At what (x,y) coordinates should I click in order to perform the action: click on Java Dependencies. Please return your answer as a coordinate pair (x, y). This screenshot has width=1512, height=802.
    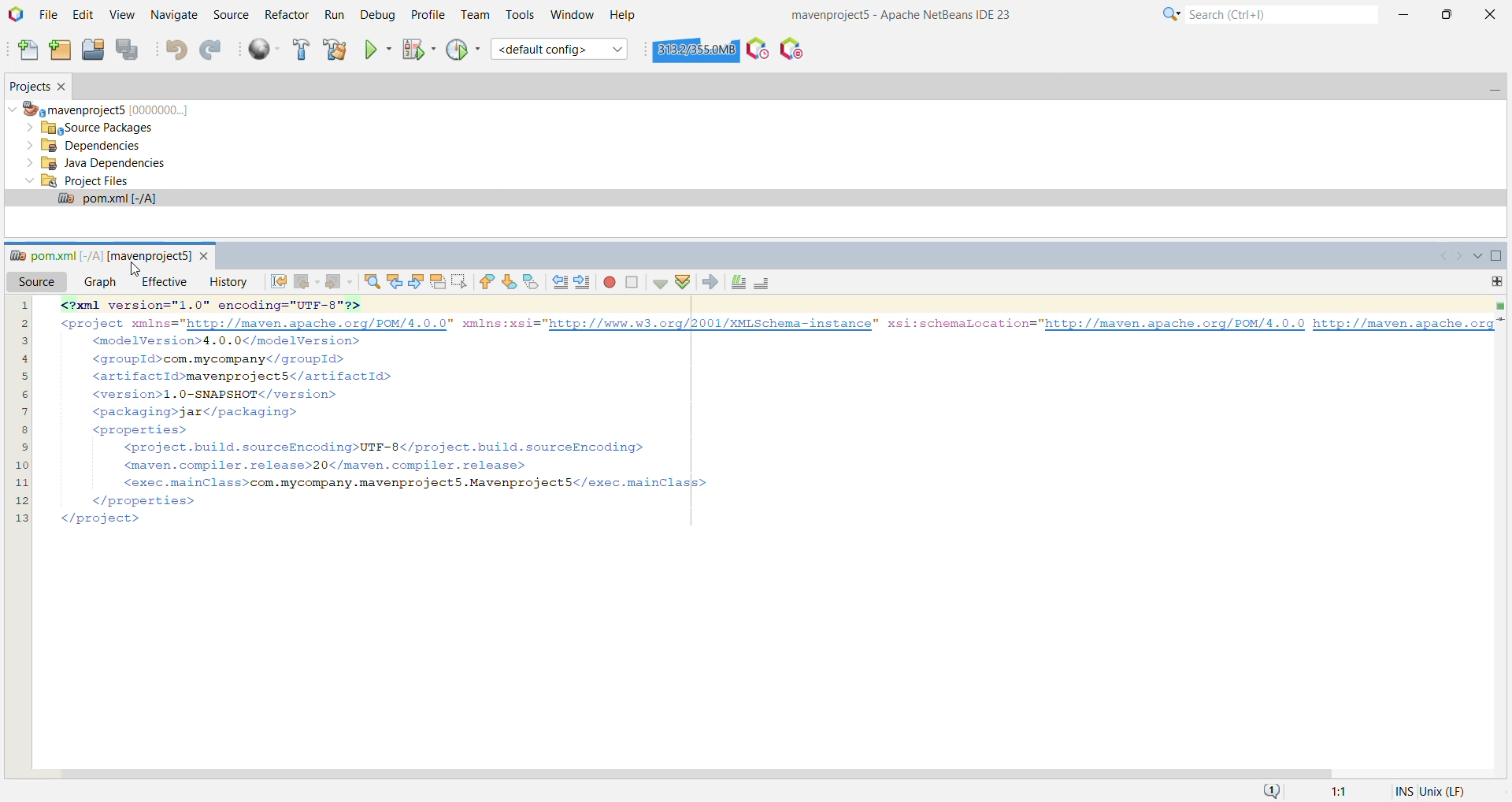
    Looking at the image, I should click on (94, 162).